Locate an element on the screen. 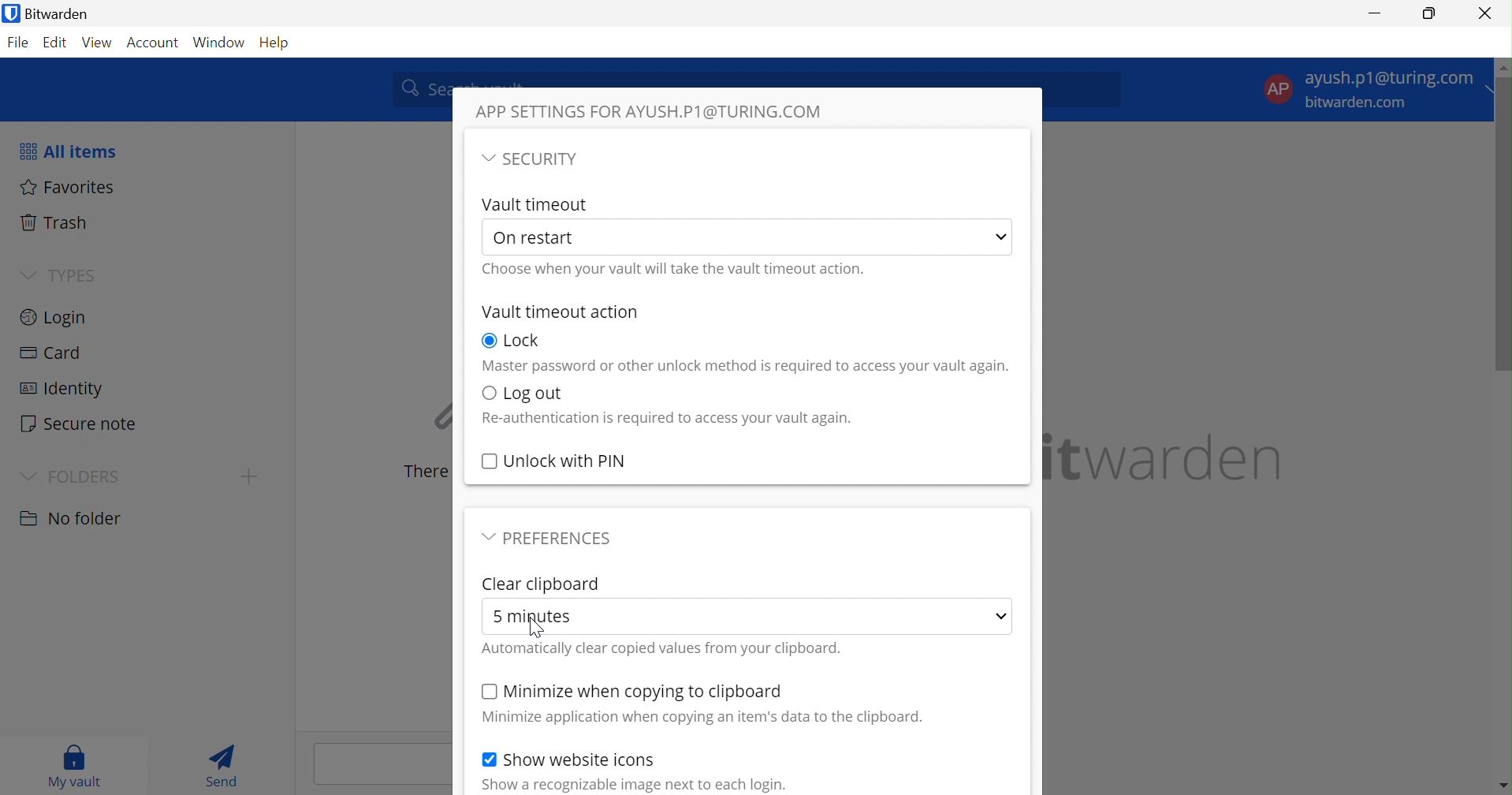  PREFERENCES is located at coordinates (562, 536).